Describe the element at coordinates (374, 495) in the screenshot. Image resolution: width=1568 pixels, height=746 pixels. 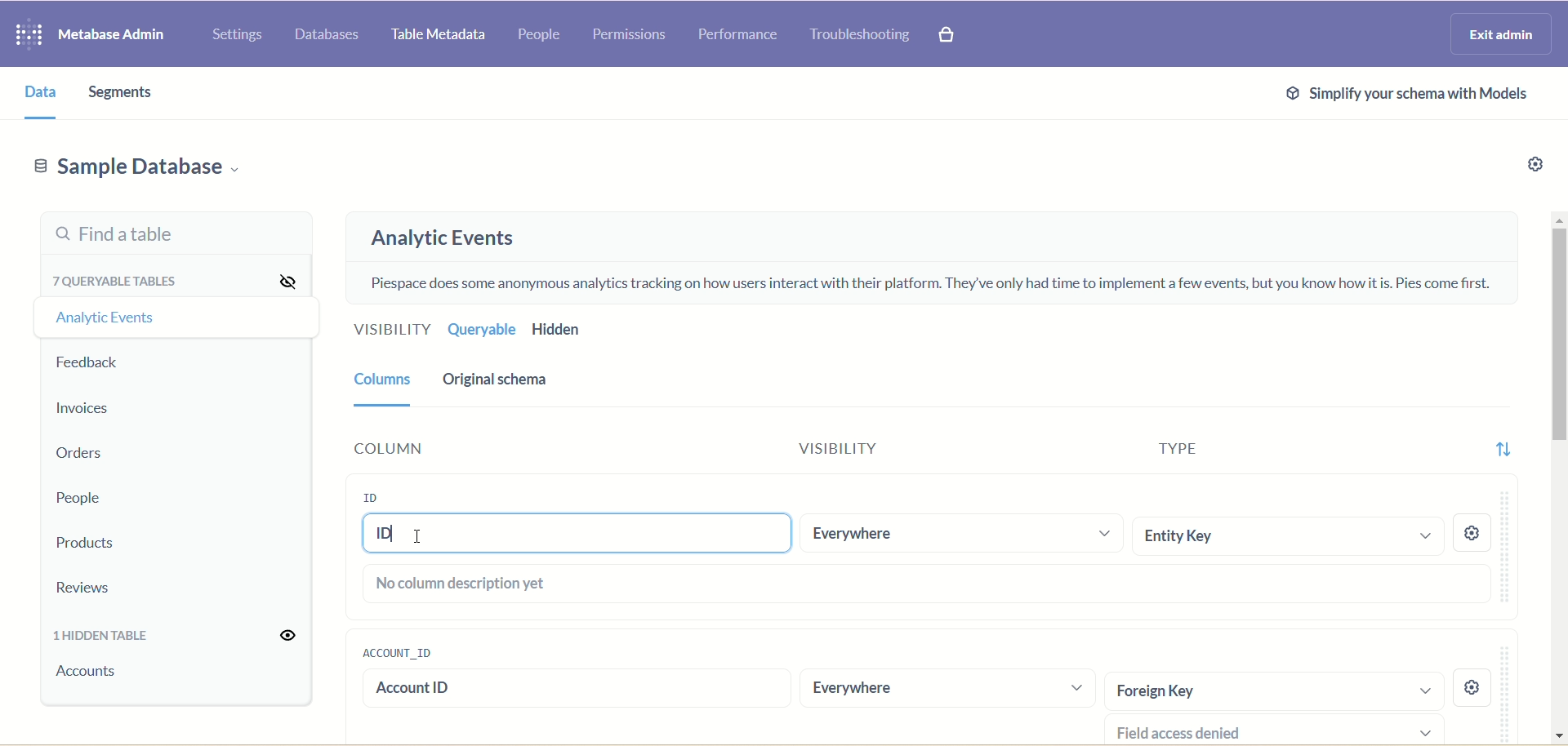
I see `ID` at that location.